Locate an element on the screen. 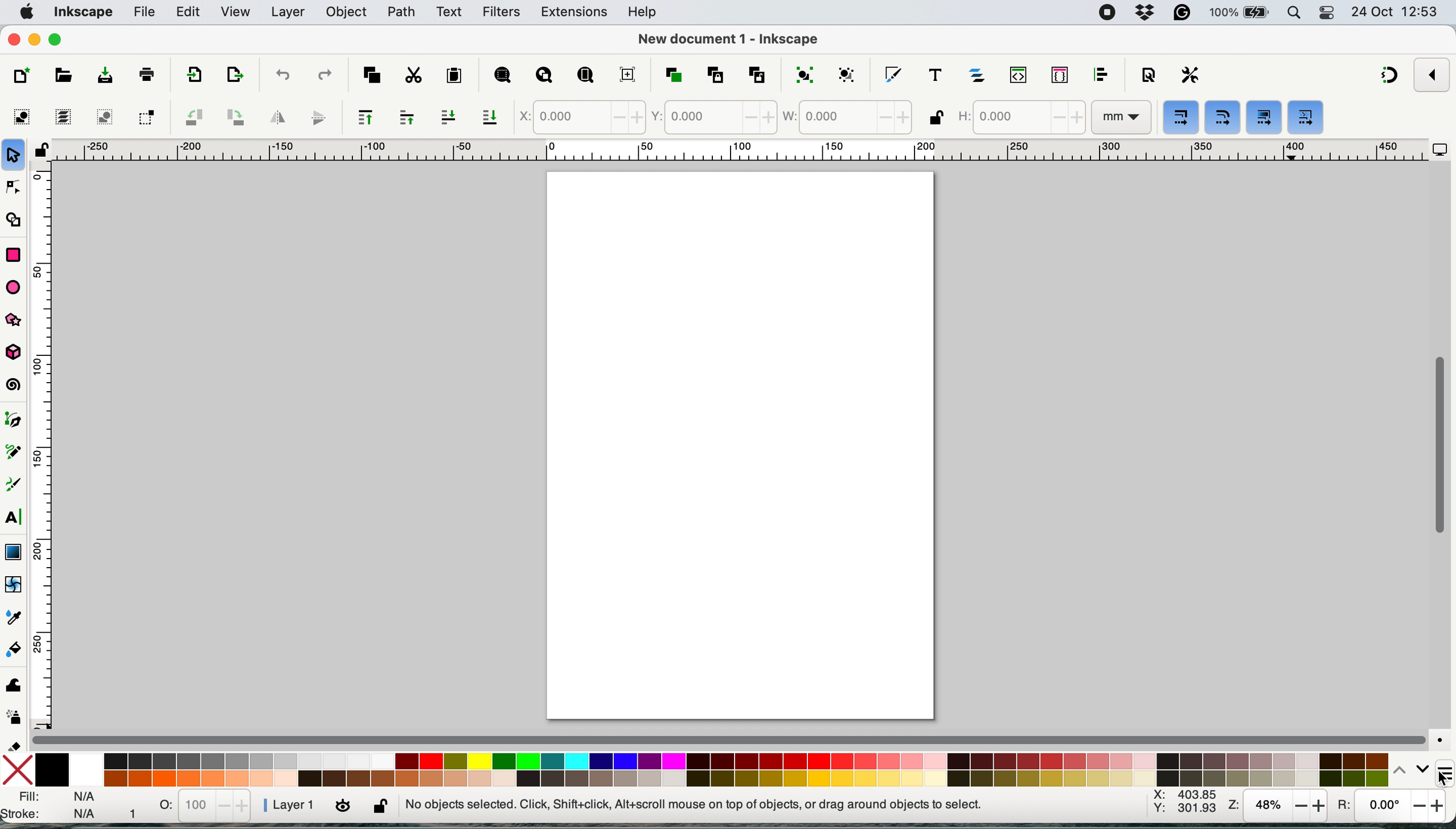 The image size is (1456, 829). mesh tool is located at coordinates (16, 586).